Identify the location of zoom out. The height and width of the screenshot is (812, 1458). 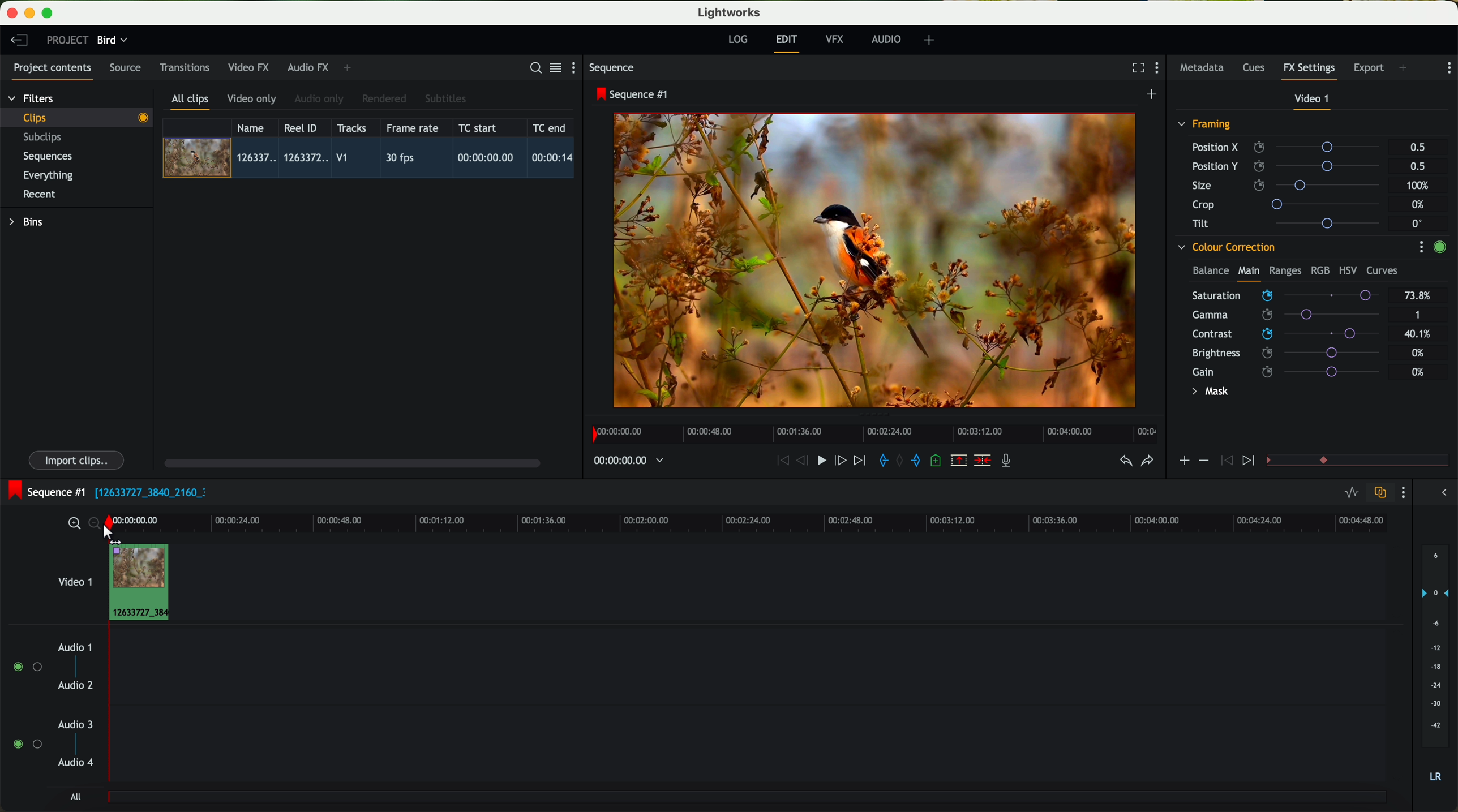
(96, 525).